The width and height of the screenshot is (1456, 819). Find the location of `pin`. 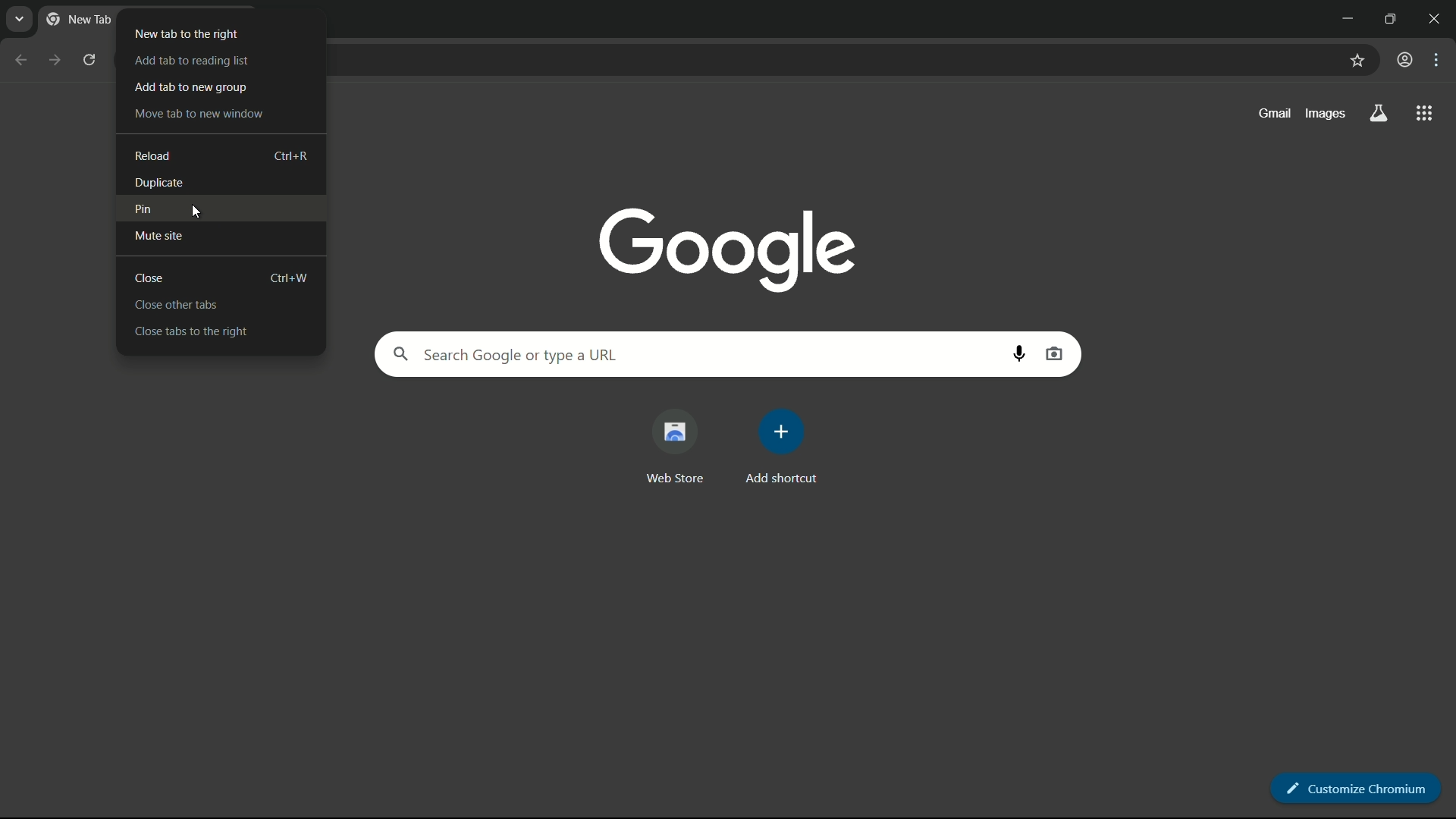

pin is located at coordinates (143, 208).